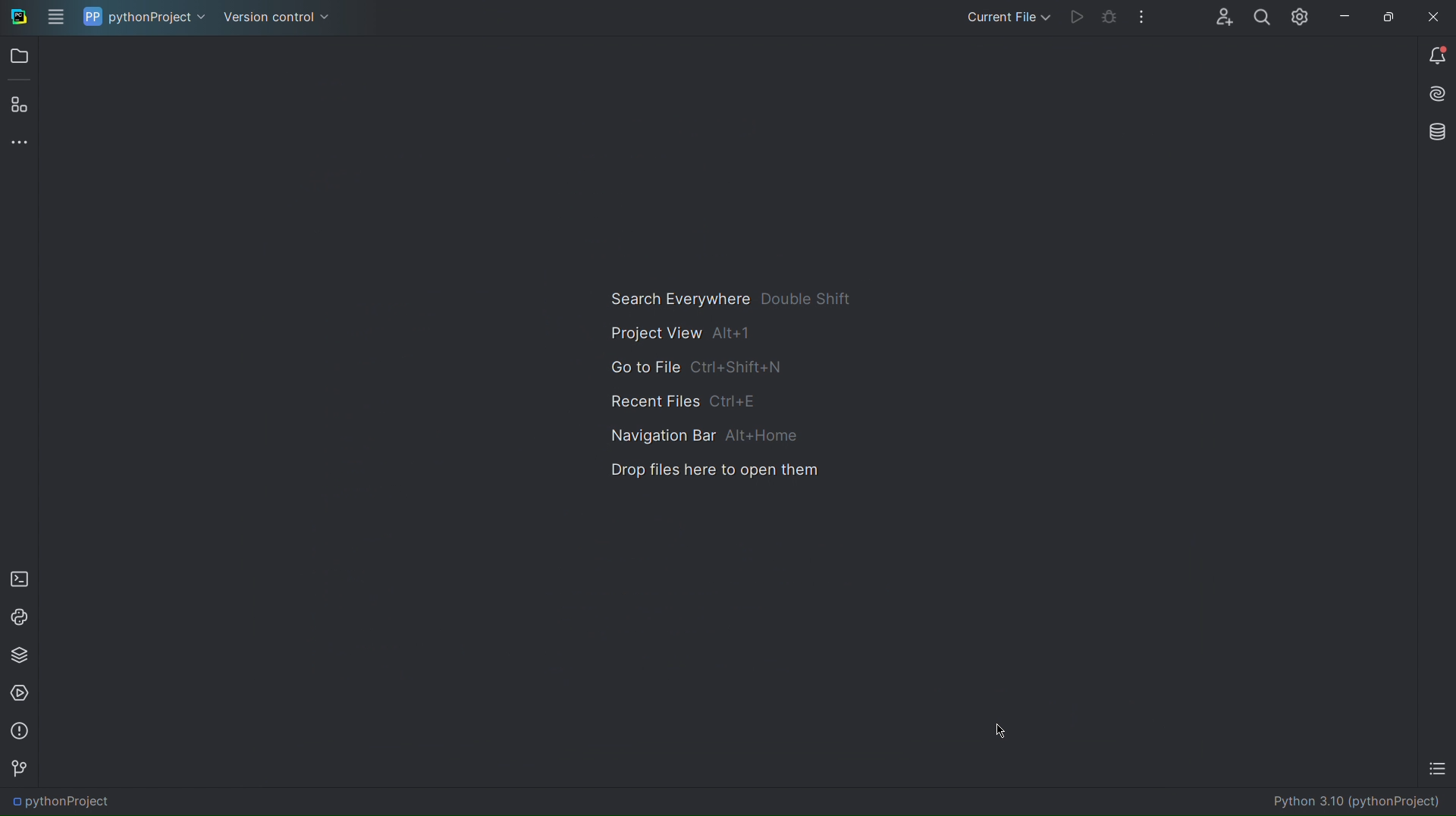 This screenshot has width=1456, height=816. Describe the element at coordinates (1107, 19) in the screenshot. I see `Debug` at that location.